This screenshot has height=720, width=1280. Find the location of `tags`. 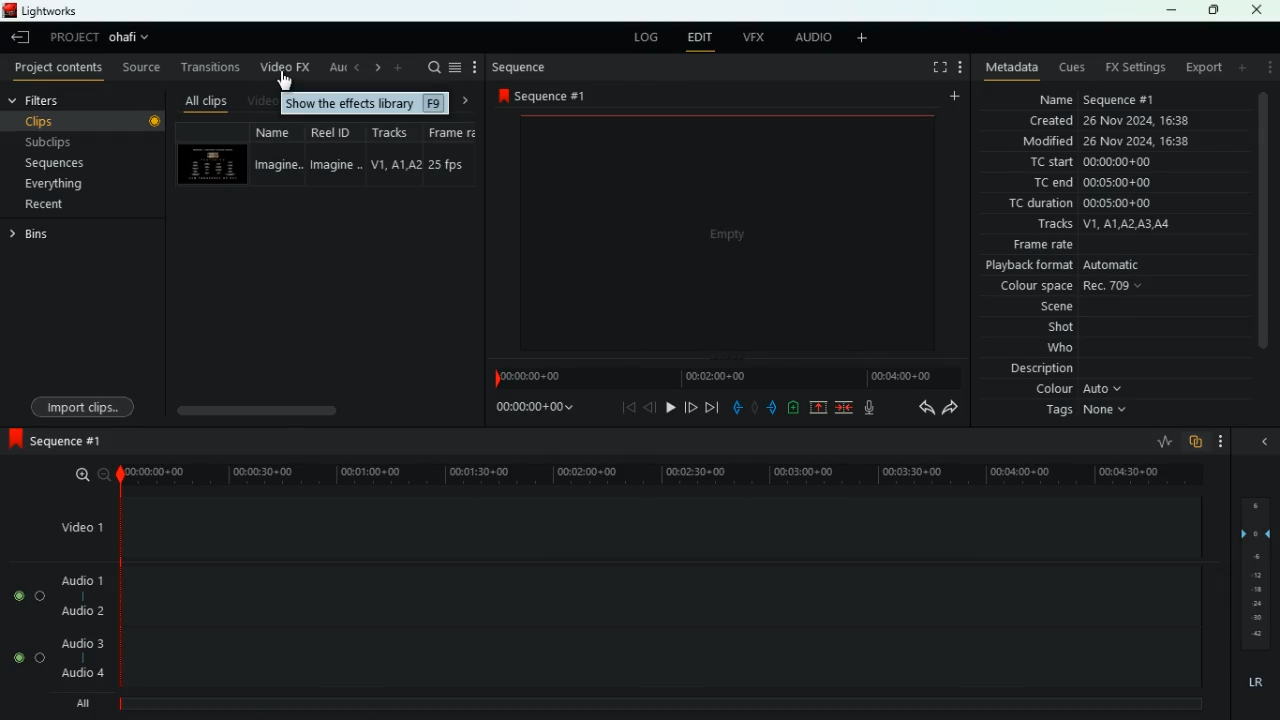

tags is located at coordinates (1090, 415).